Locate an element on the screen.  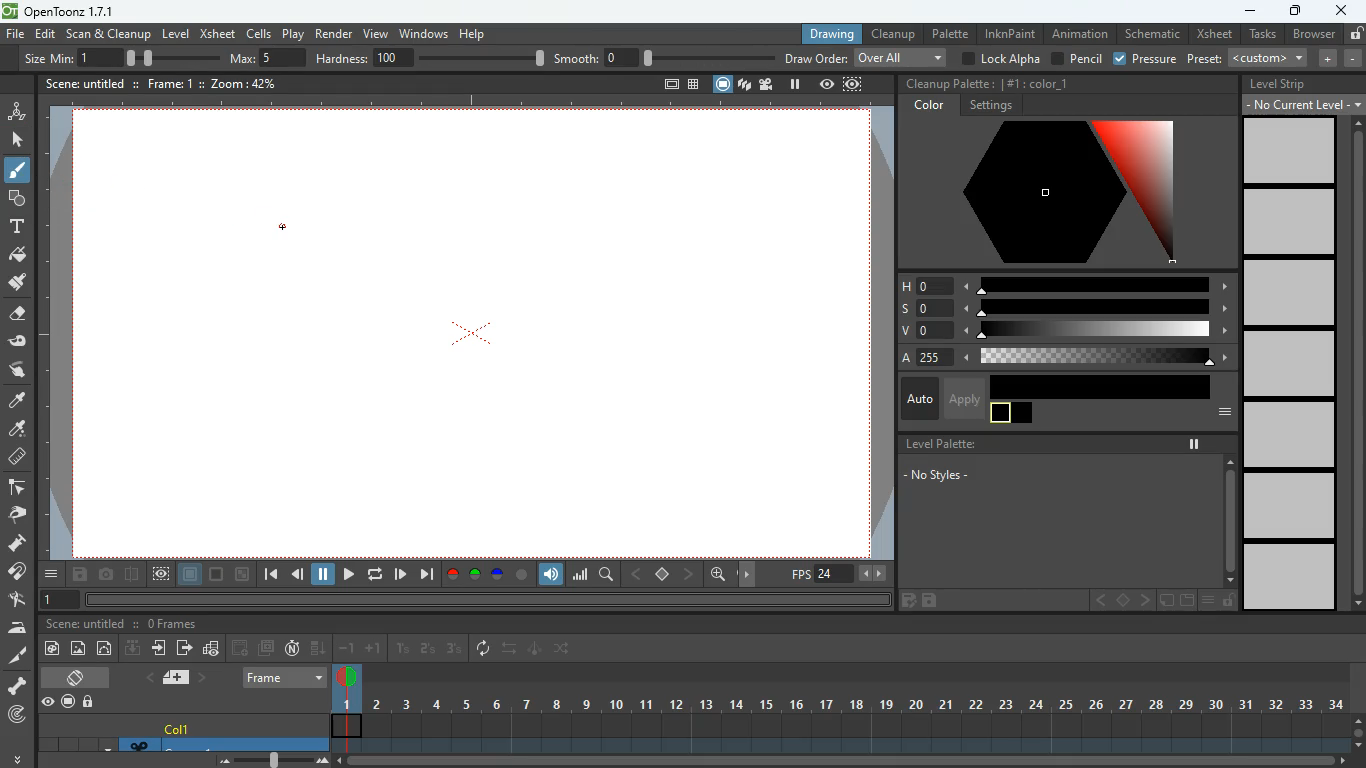
view is located at coordinates (827, 84).